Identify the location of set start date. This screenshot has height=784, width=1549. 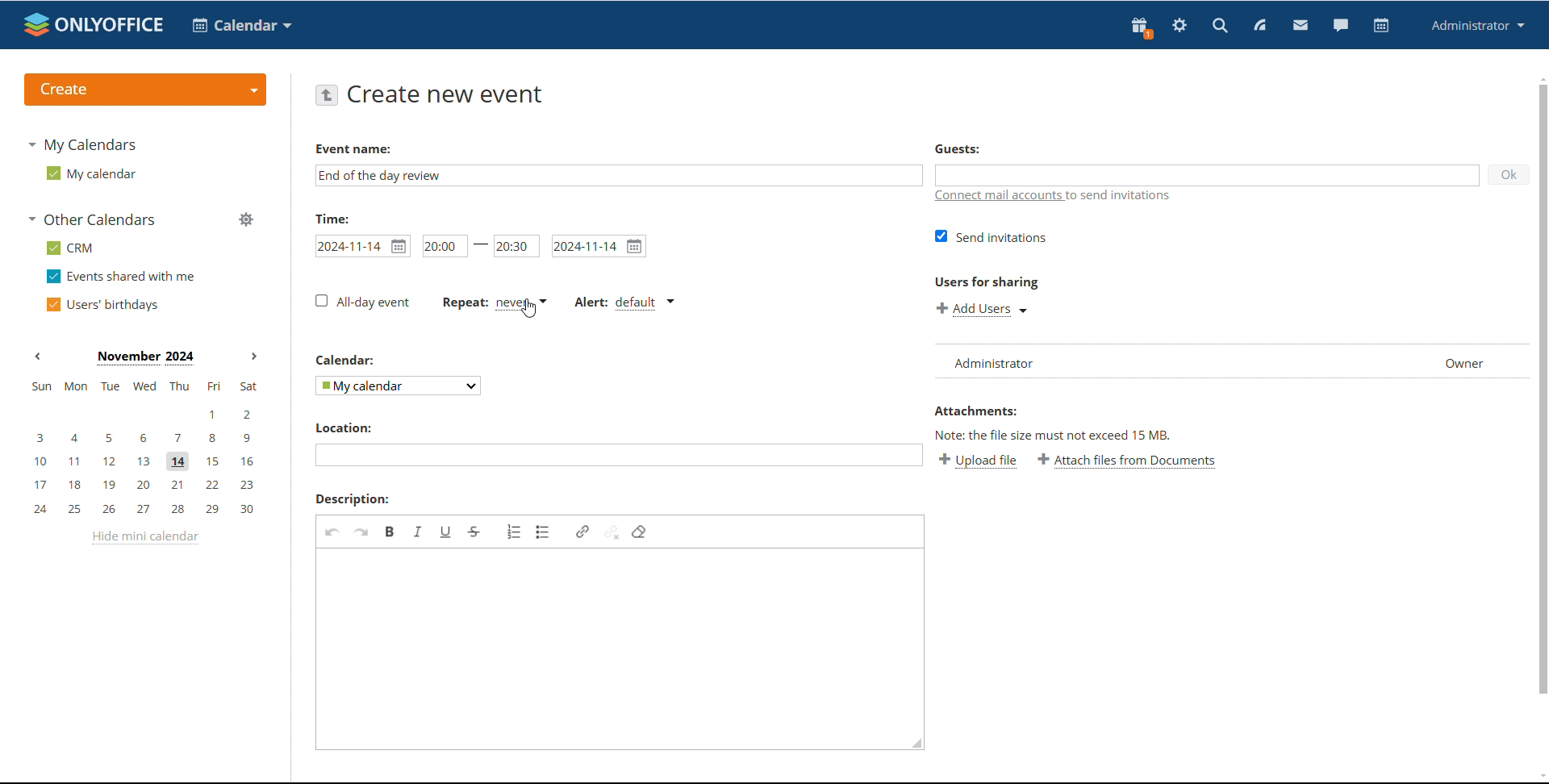
(362, 246).